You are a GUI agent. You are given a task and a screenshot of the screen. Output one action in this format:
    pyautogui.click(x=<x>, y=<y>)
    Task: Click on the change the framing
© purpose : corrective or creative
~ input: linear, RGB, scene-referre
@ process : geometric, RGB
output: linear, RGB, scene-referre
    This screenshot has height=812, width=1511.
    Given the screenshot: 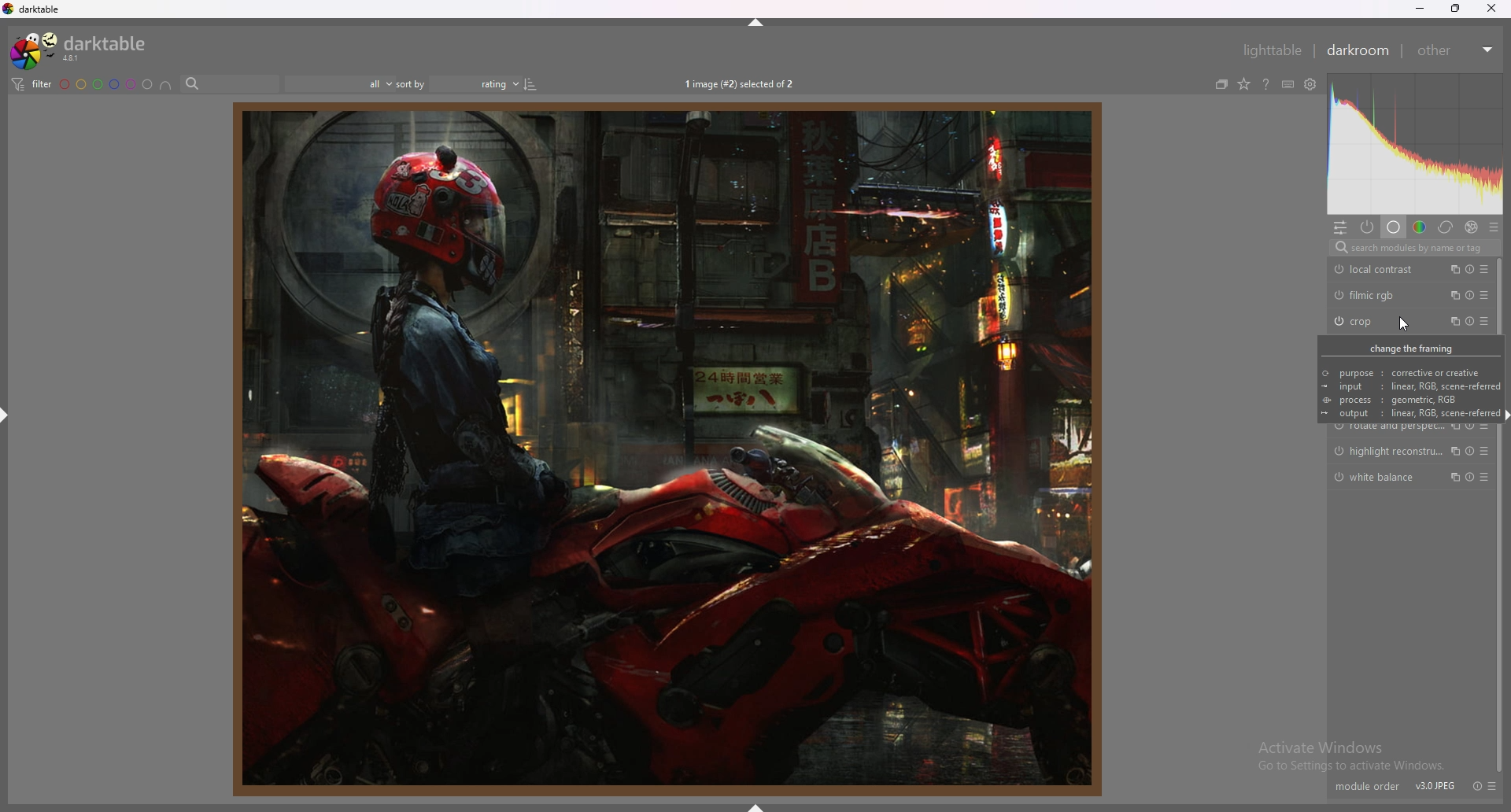 What is the action you would take?
    pyautogui.click(x=1404, y=381)
    